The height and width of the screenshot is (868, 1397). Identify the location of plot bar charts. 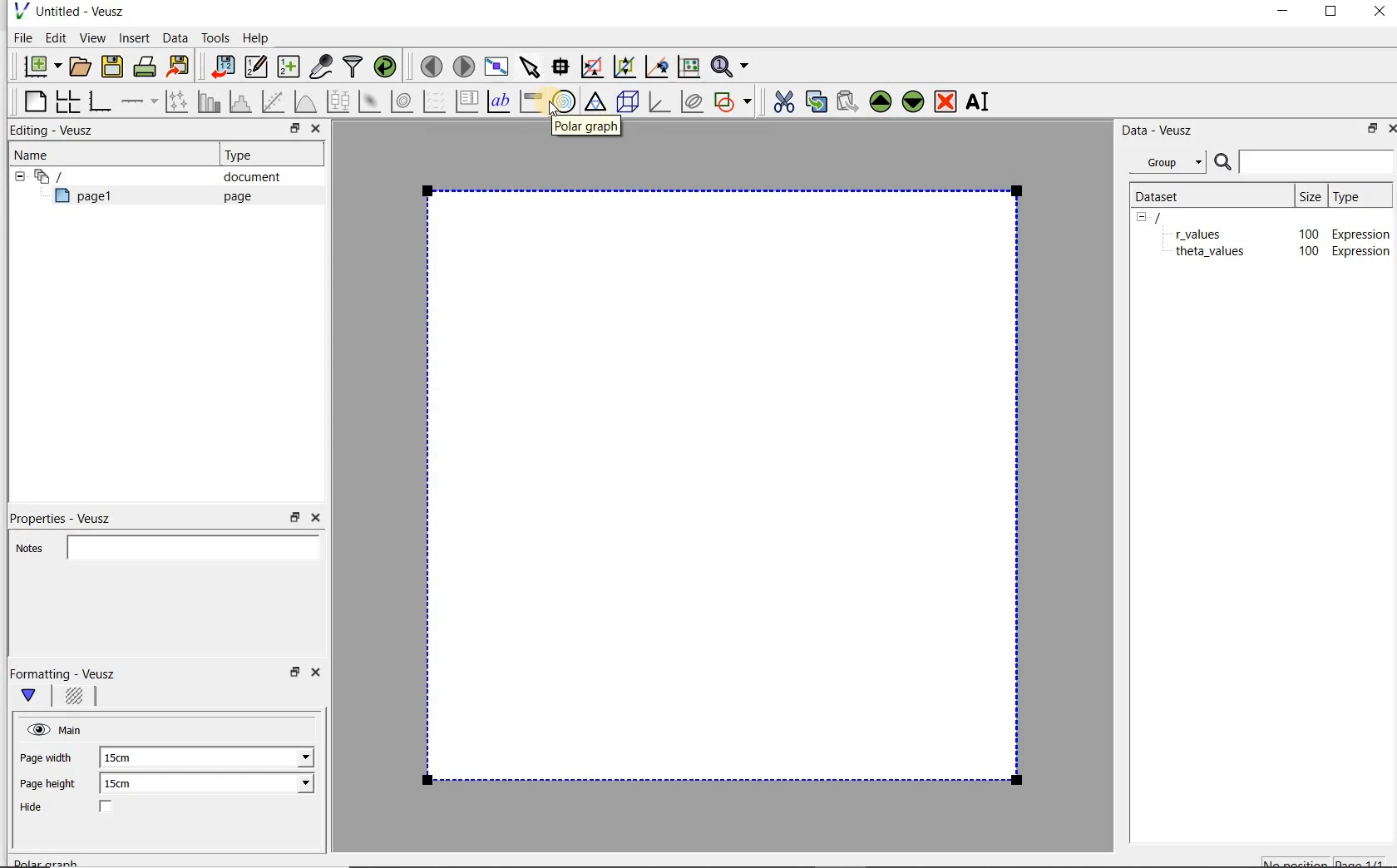
(210, 101).